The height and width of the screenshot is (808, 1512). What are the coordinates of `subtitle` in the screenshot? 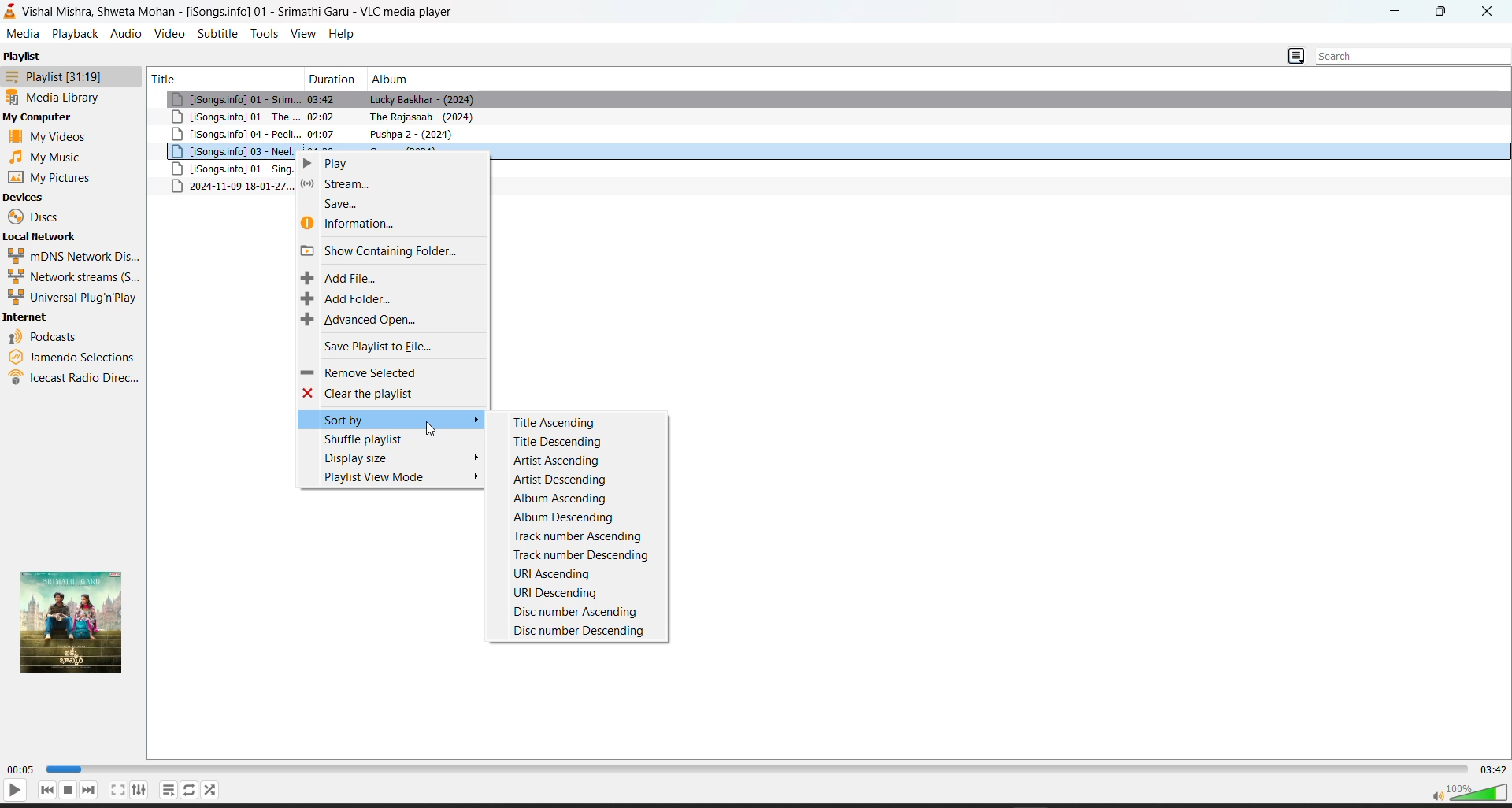 It's located at (218, 33).